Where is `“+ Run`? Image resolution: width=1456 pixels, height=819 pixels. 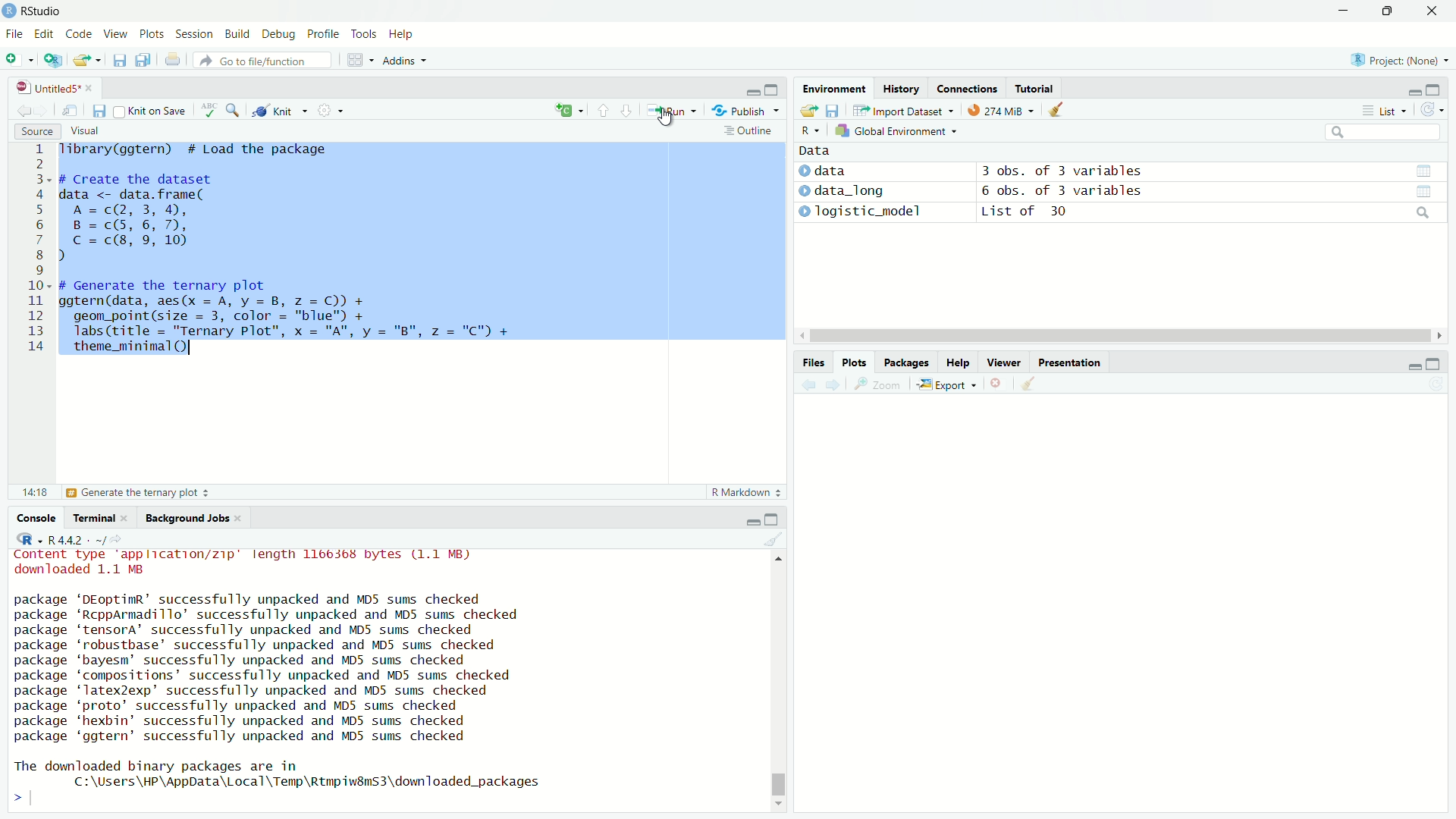 “+ Run is located at coordinates (676, 111).